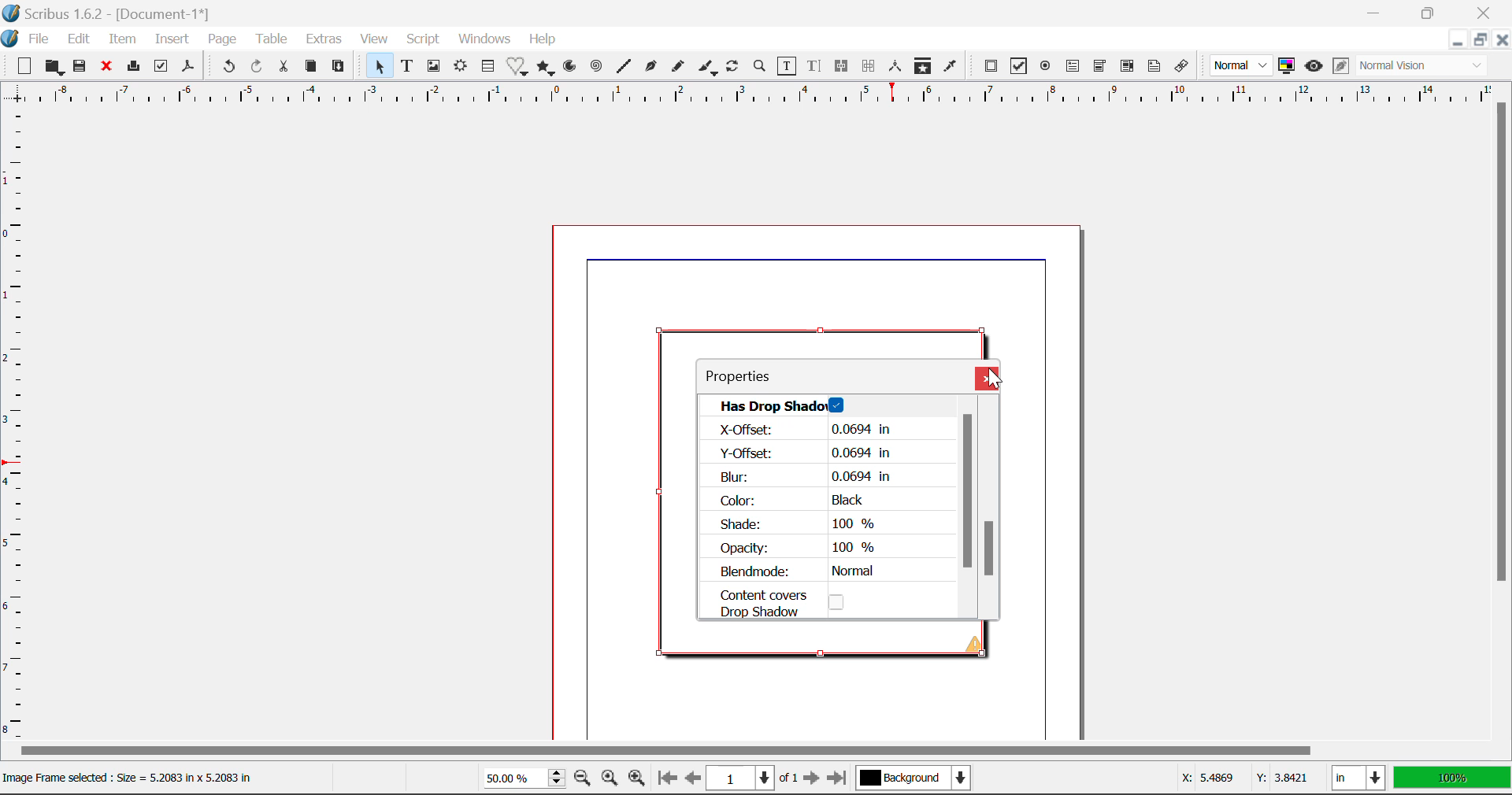  Describe the element at coordinates (895, 65) in the screenshot. I see `Measurements` at that location.